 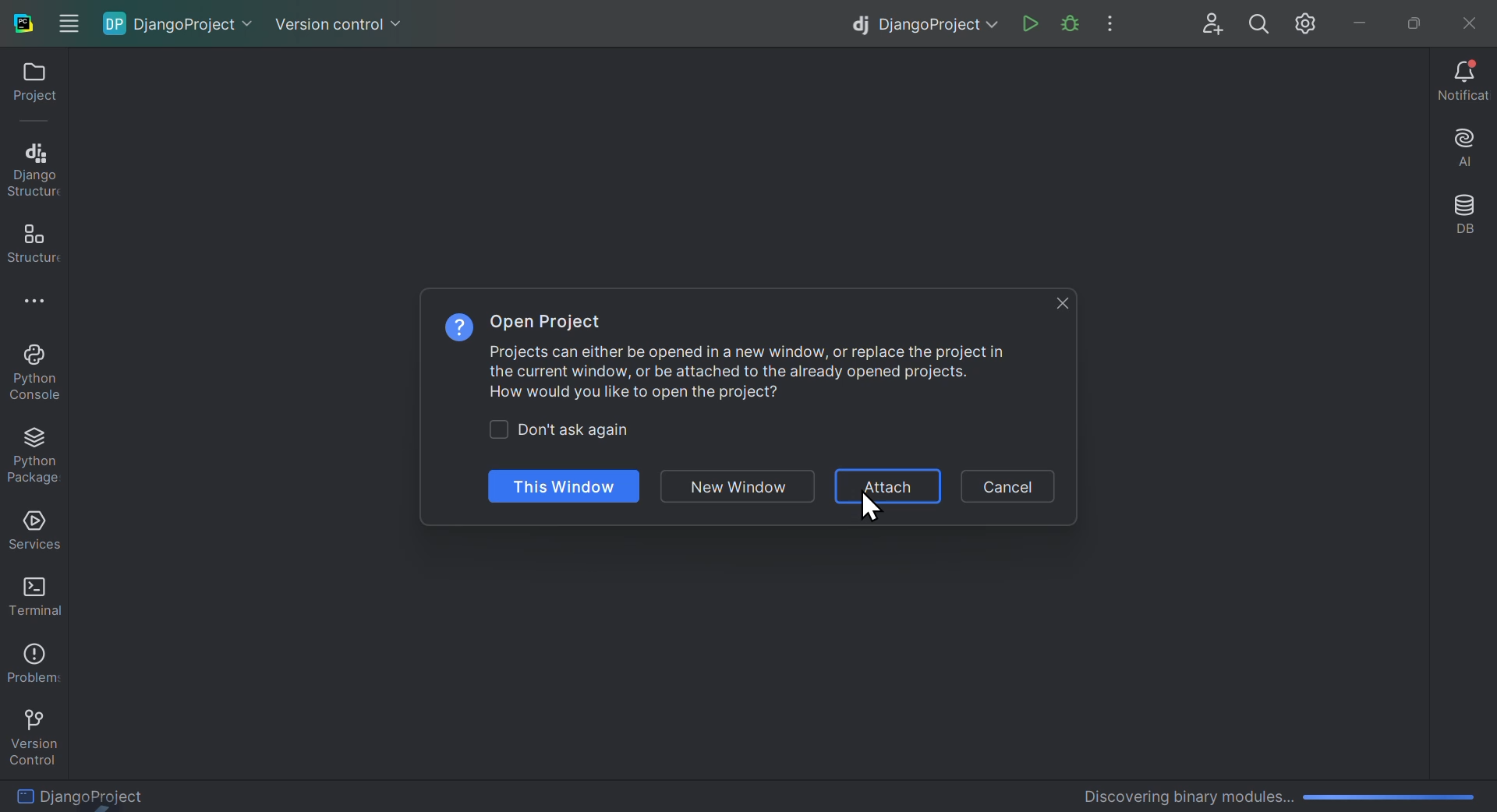 What do you see at coordinates (29, 87) in the screenshot?
I see `project` at bounding box center [29, 87].